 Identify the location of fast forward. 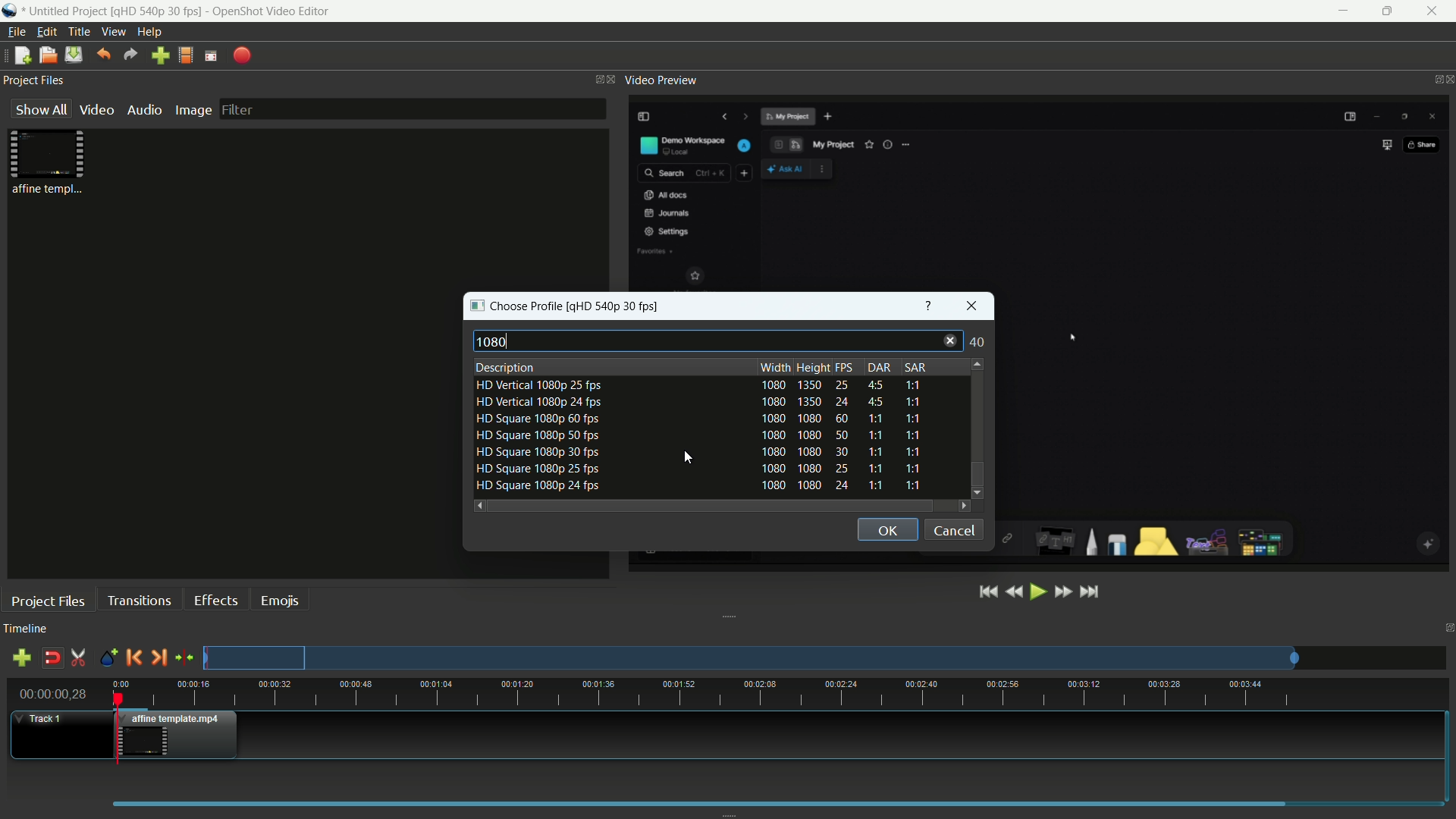
(1062, 593).